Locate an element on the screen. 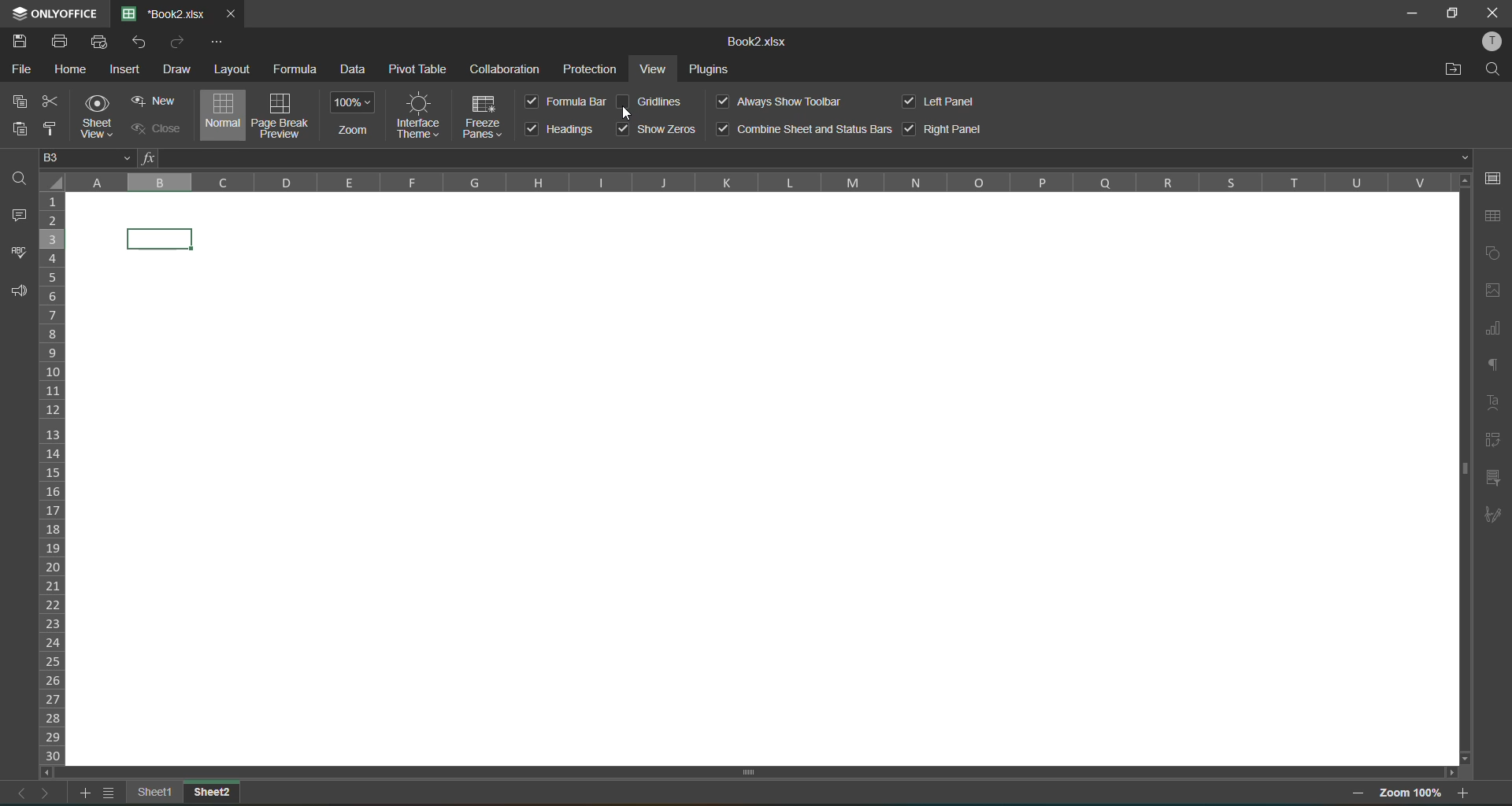 The image size is (1512, 806). cell is located at coordinates (162, 239).